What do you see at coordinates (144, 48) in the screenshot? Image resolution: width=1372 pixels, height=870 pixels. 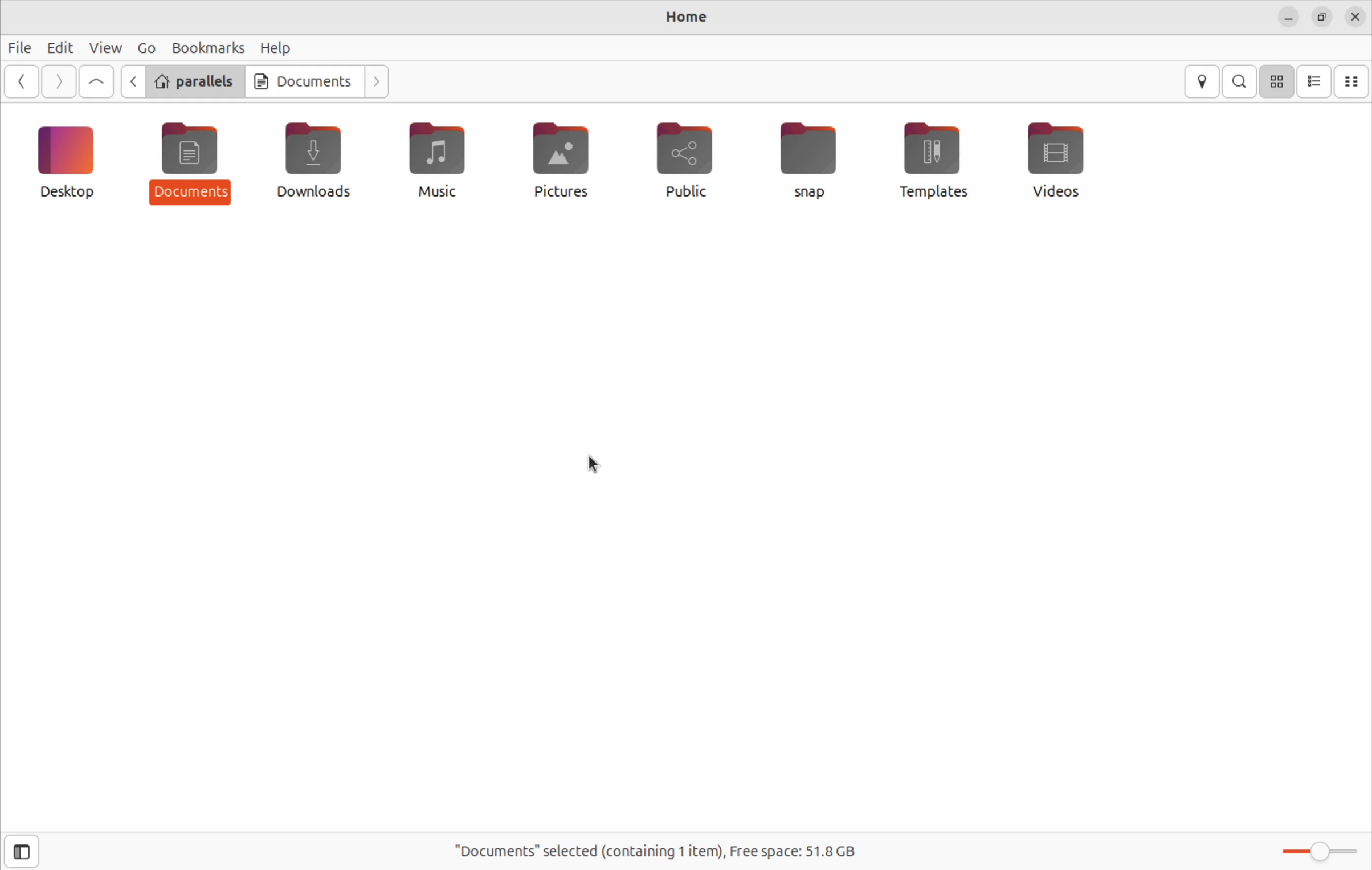 I see `Go` at bounding box center [144, 48].